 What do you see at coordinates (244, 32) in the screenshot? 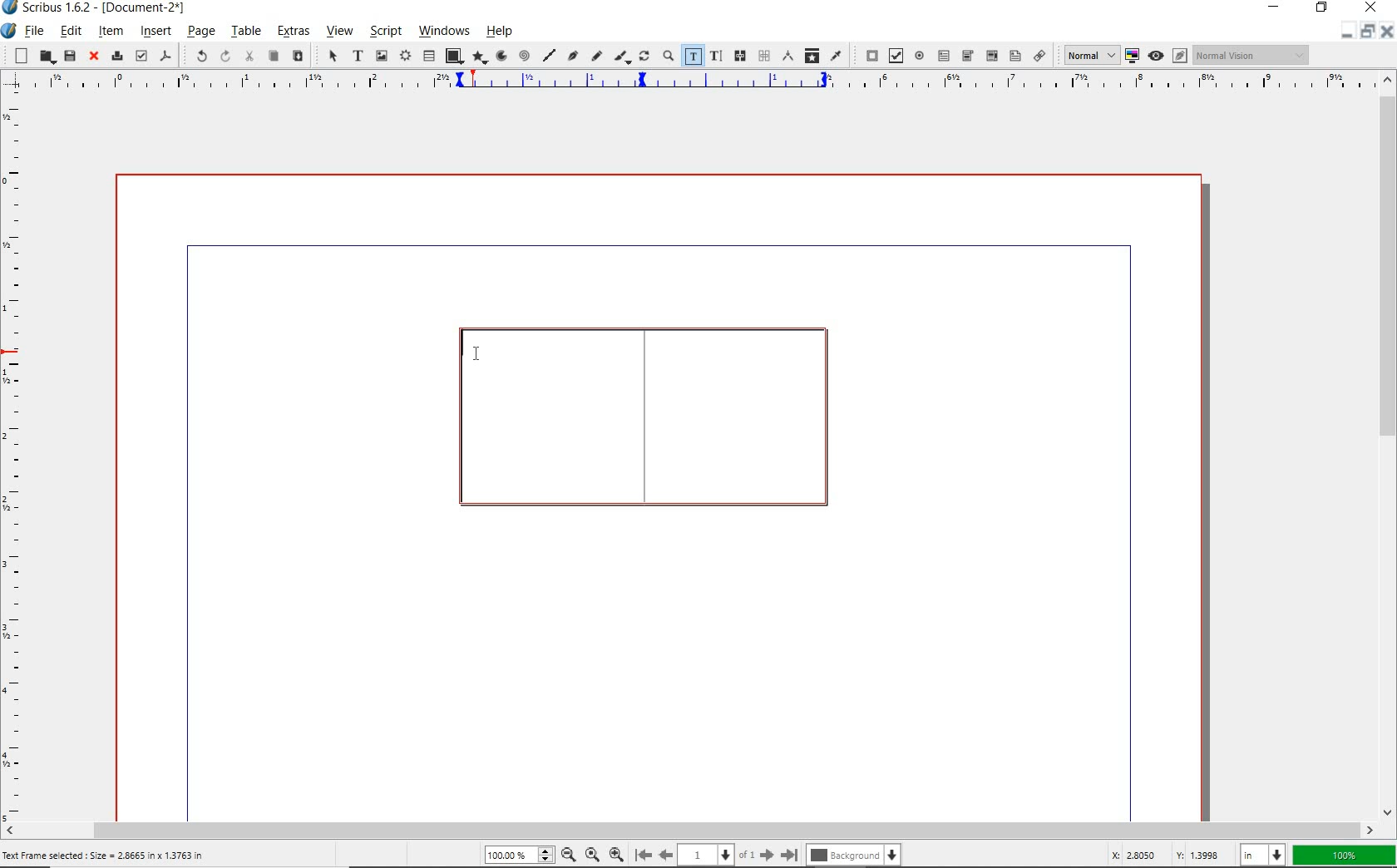
I see `table` at bounding box center [244, 32].